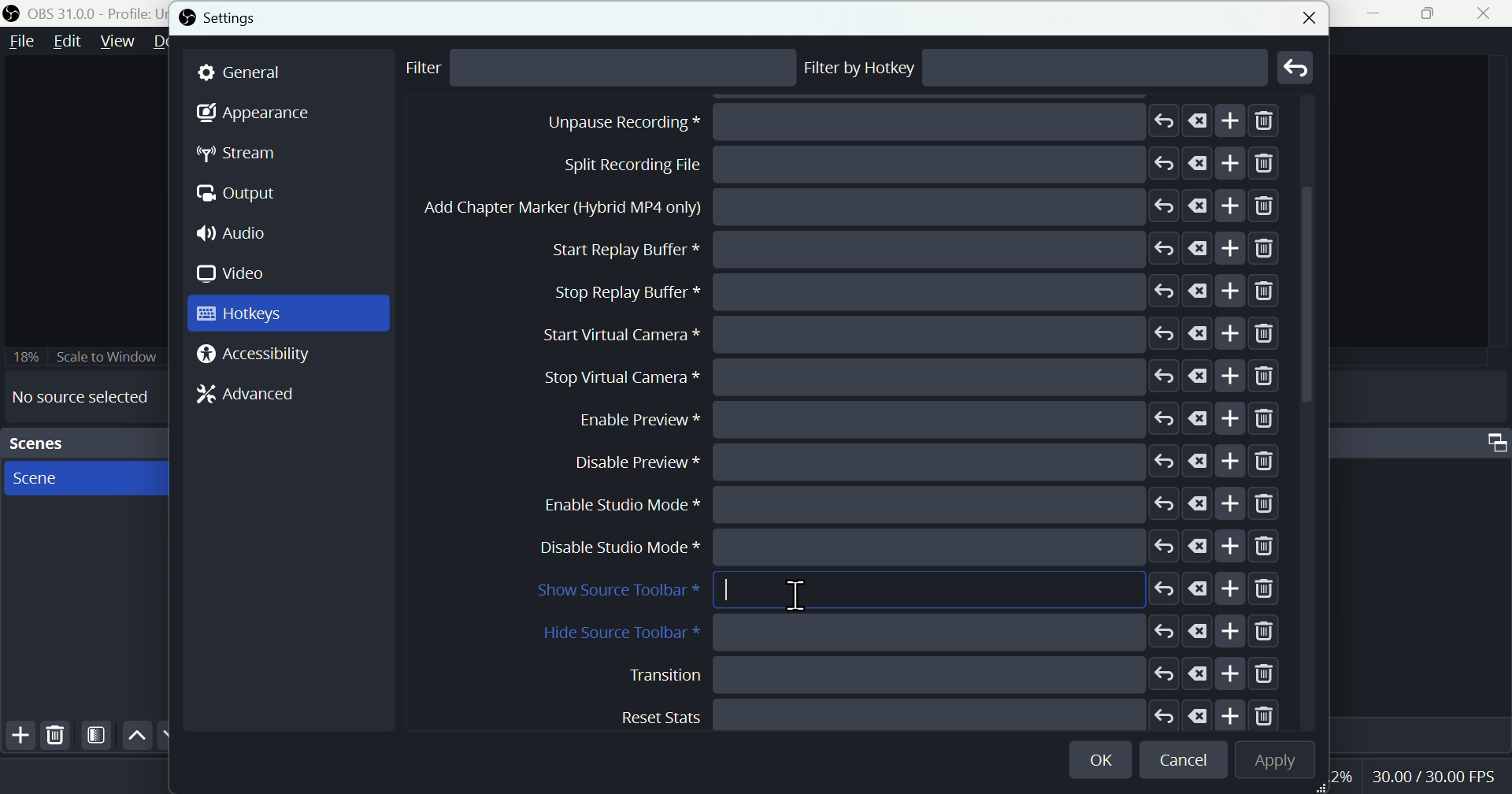 The width and height of the screenshot is (1512, 794). What do you see at coordinates (905, 504) in the screenshot?
I see `start virtual camera` at bounding box center [905, 504].